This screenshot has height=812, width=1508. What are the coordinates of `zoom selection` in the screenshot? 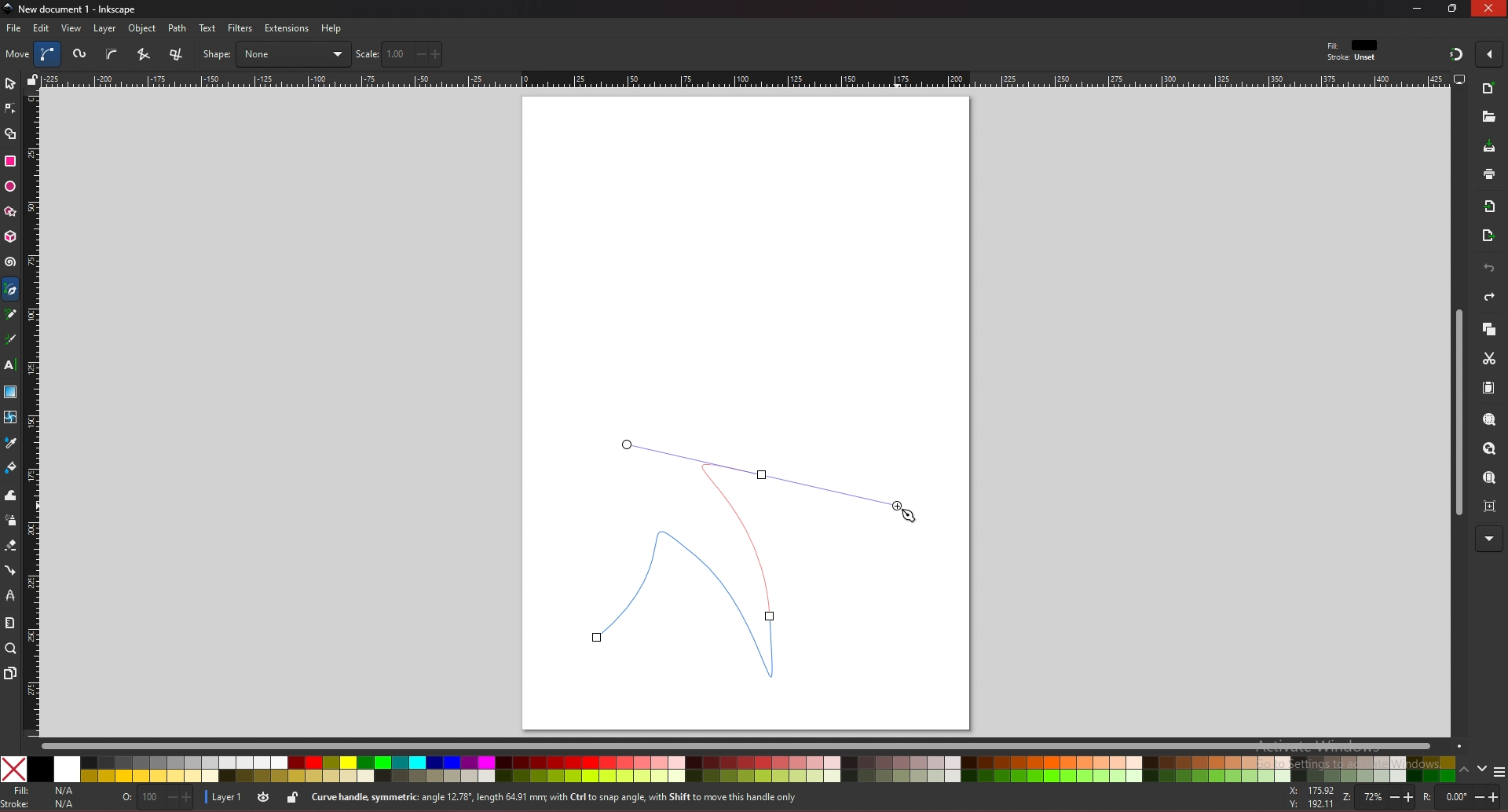 It's located at (1491, 421).